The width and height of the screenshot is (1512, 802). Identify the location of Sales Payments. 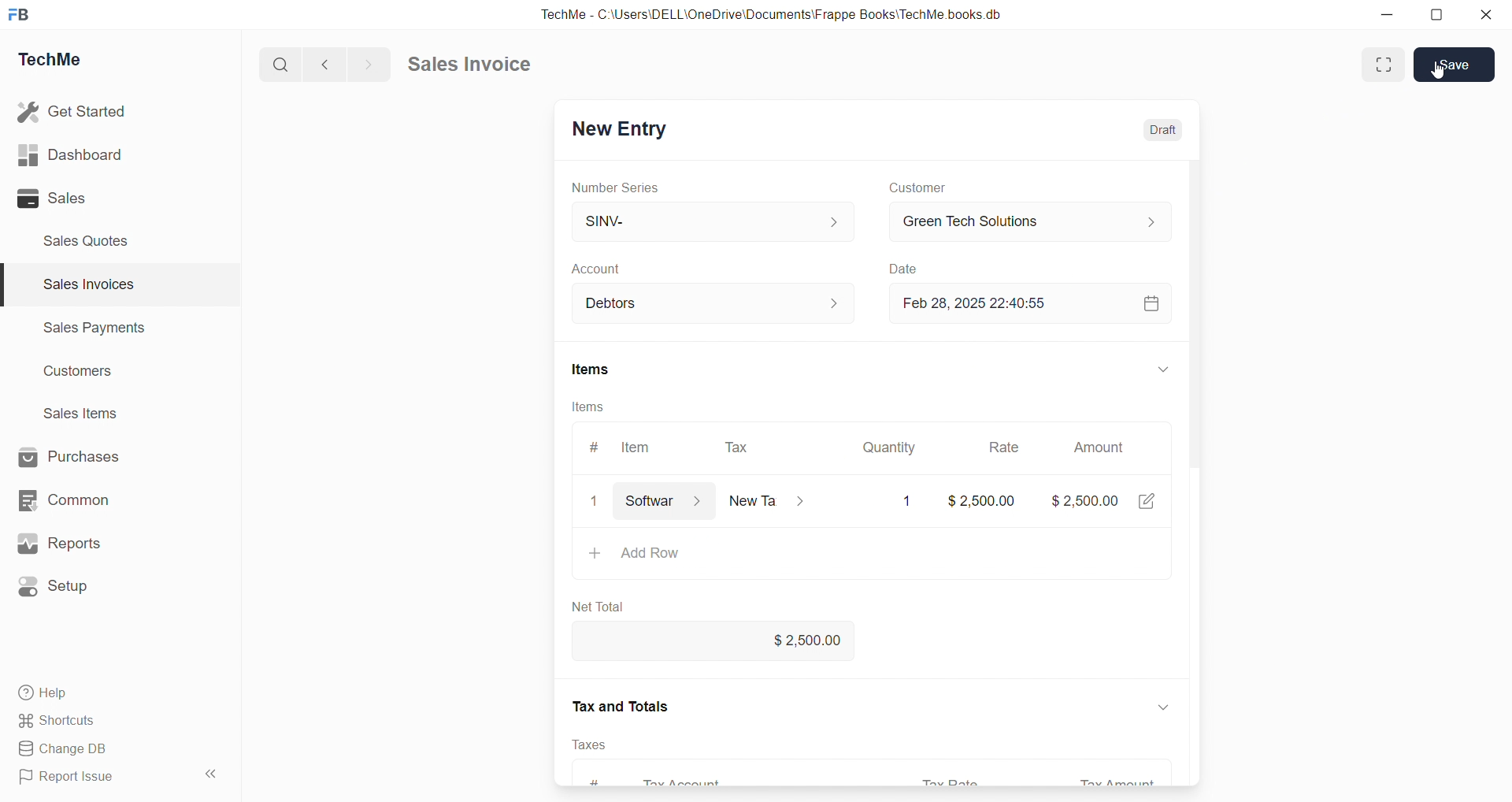
(96, 326).